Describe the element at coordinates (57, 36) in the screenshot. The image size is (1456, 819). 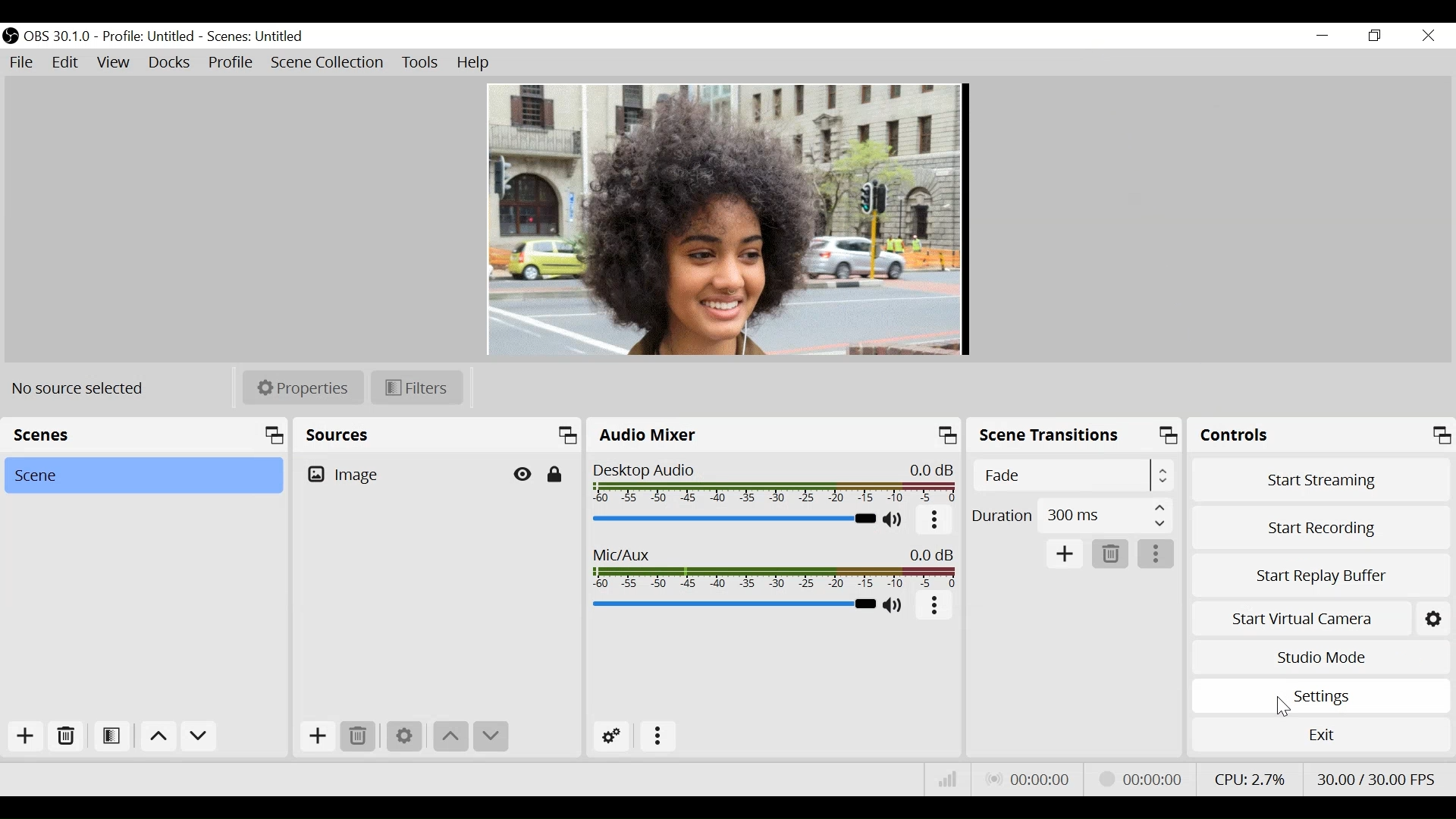
I see `OBS 30.1.0` at that location.